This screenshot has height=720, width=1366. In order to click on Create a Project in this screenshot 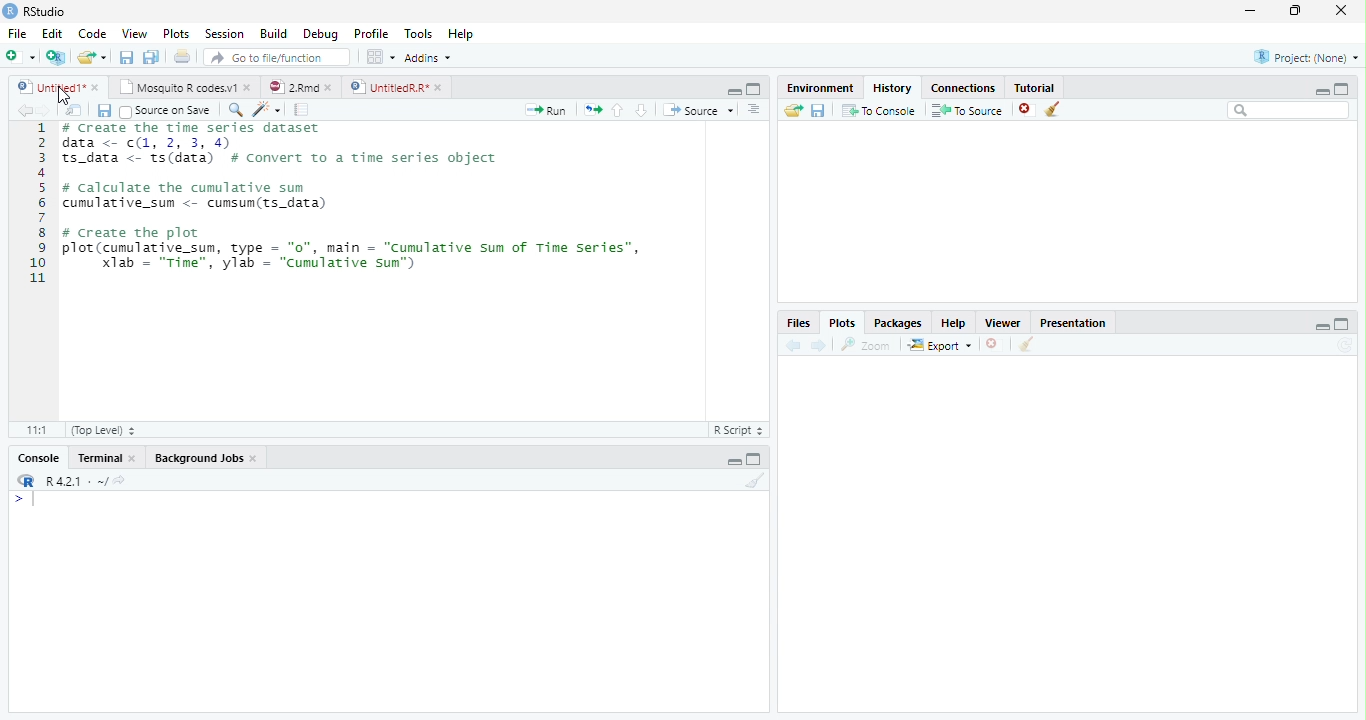, I will do `click(56, 58)`.